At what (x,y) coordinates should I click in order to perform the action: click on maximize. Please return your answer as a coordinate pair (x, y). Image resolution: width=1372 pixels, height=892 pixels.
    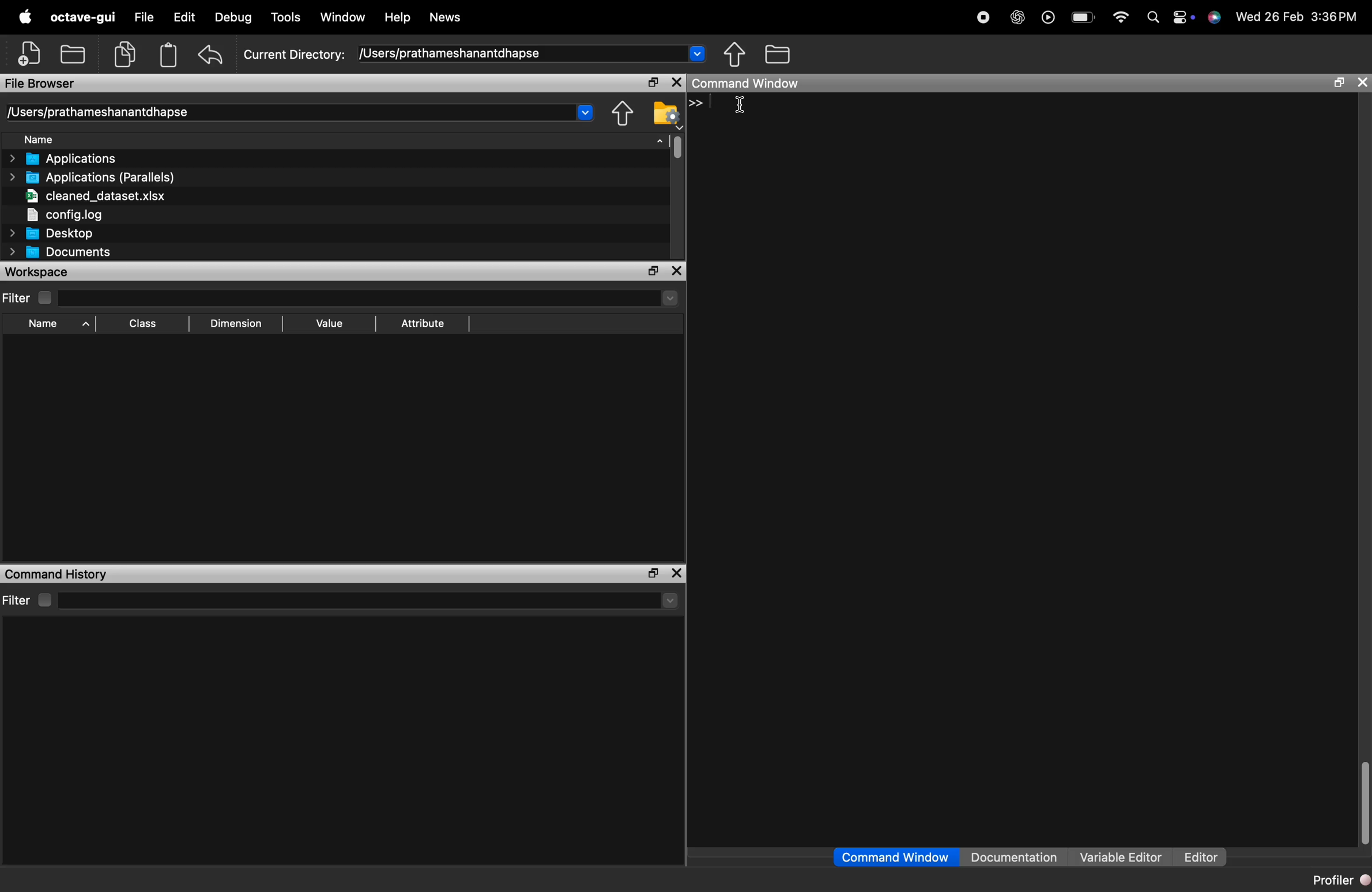
    Looking at the image, I should click on (652, 573).